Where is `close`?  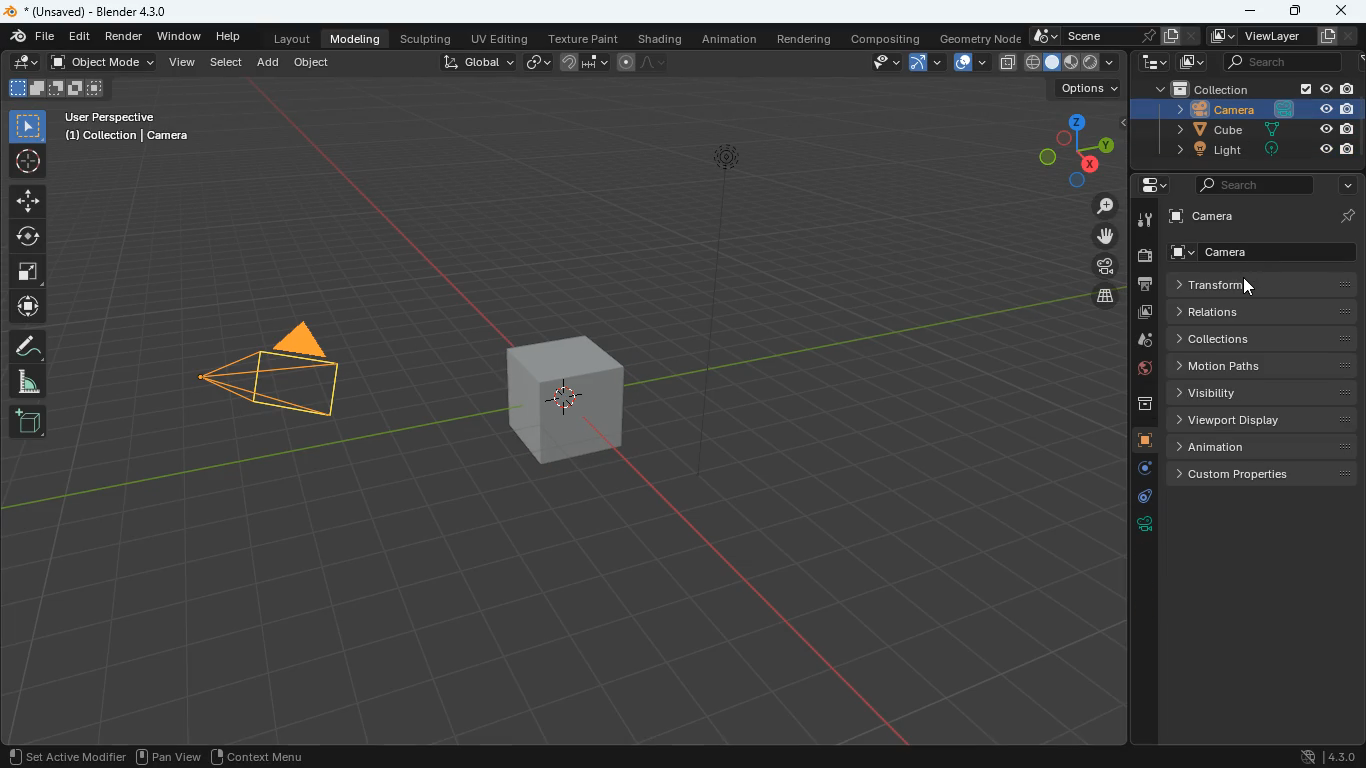
close is located at coordinates (1341, 12).